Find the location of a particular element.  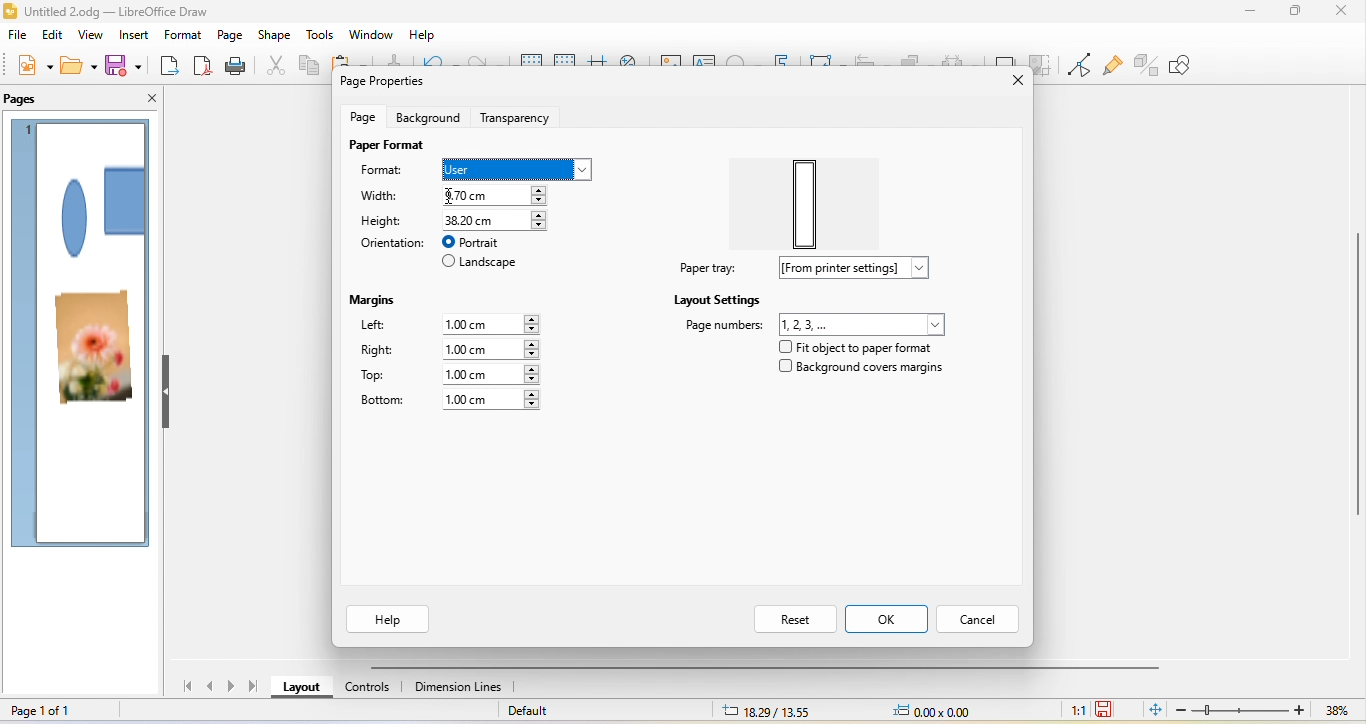

fontwork text is located at coordinates (788, 61).